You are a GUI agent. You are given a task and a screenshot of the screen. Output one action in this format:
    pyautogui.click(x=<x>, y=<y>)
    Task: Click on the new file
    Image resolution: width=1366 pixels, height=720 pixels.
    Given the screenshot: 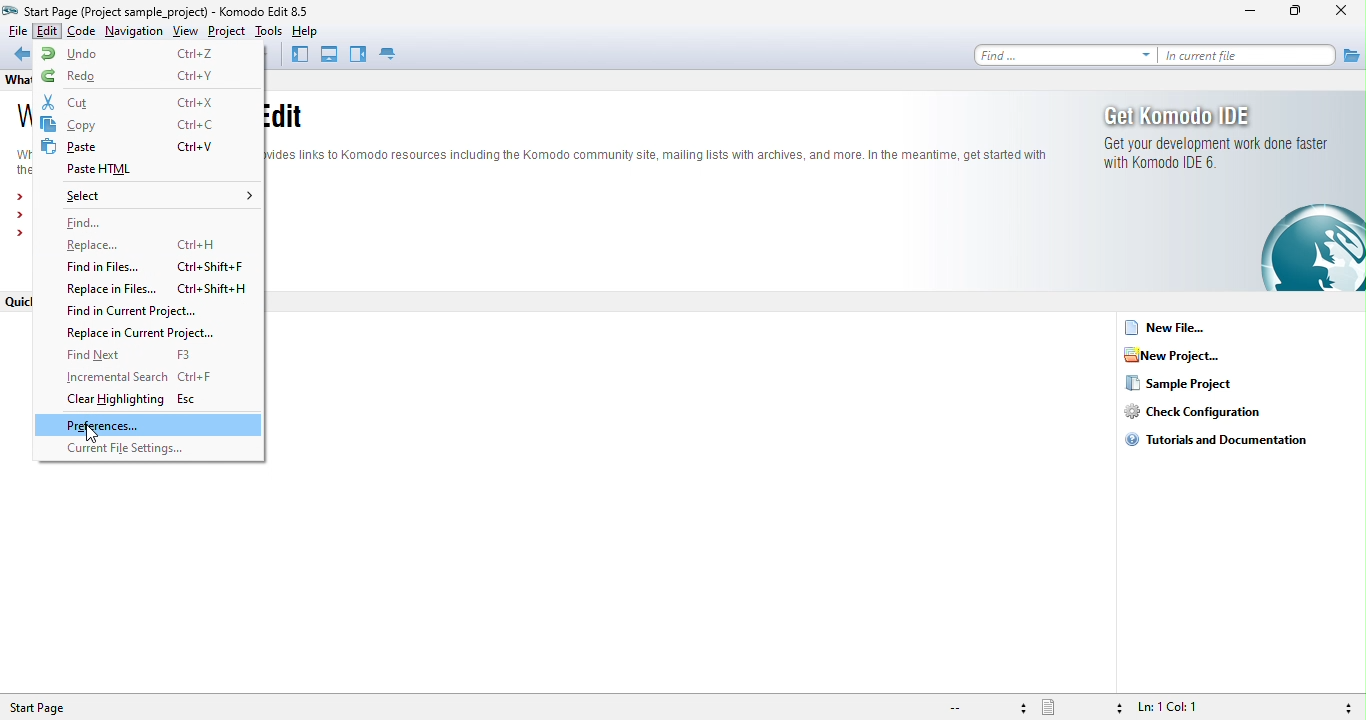 What is the action you would take?
    pyautogui.click(x=1169, y=330)
    